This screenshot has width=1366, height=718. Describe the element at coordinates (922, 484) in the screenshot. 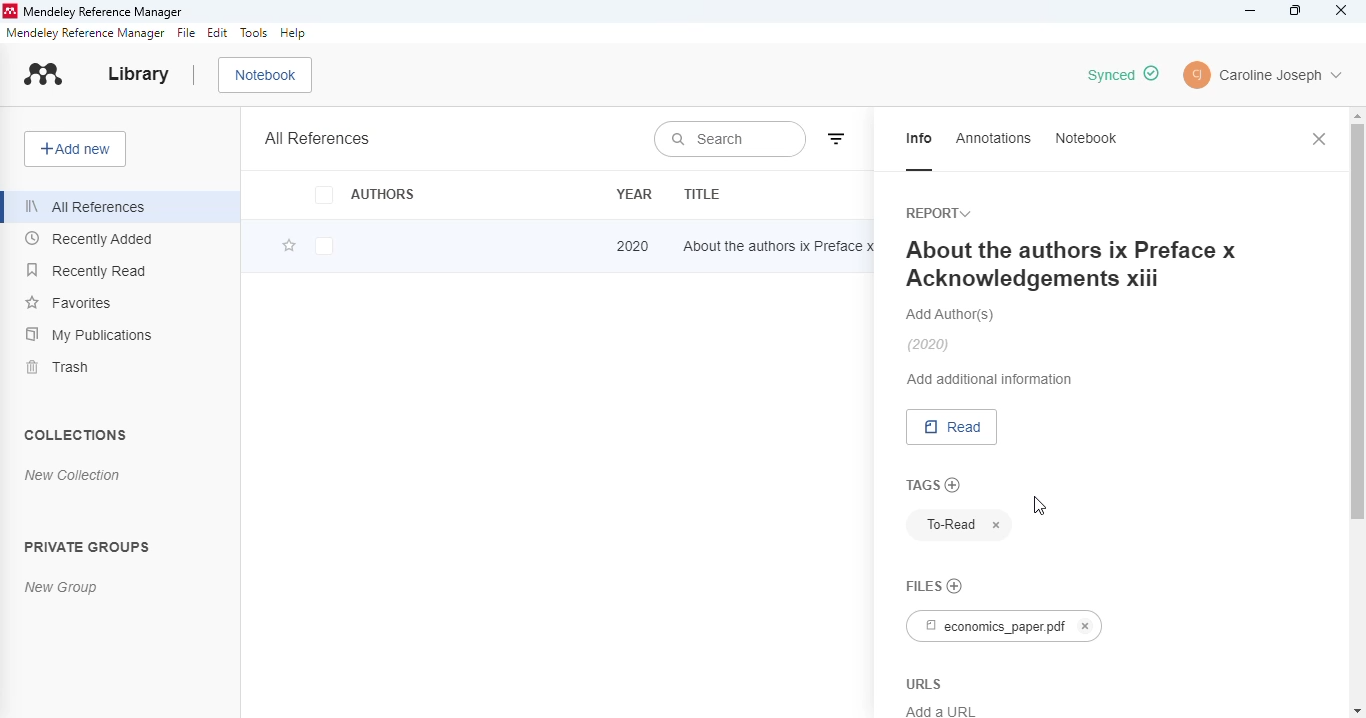

I see `tags` at that location.